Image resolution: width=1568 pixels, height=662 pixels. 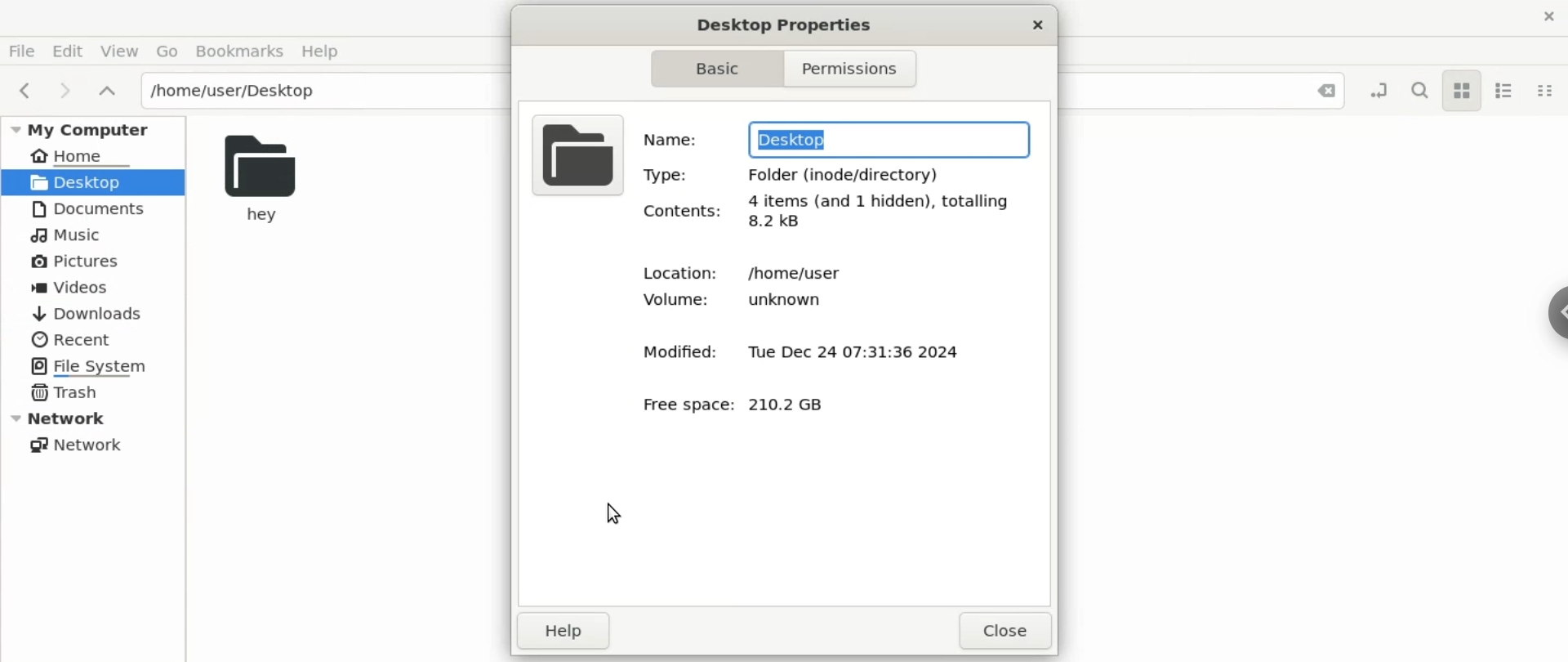 What do you see at coordinates (1037, 26) in the screenshot?
I see `close` at bounding box center [1037, 26].